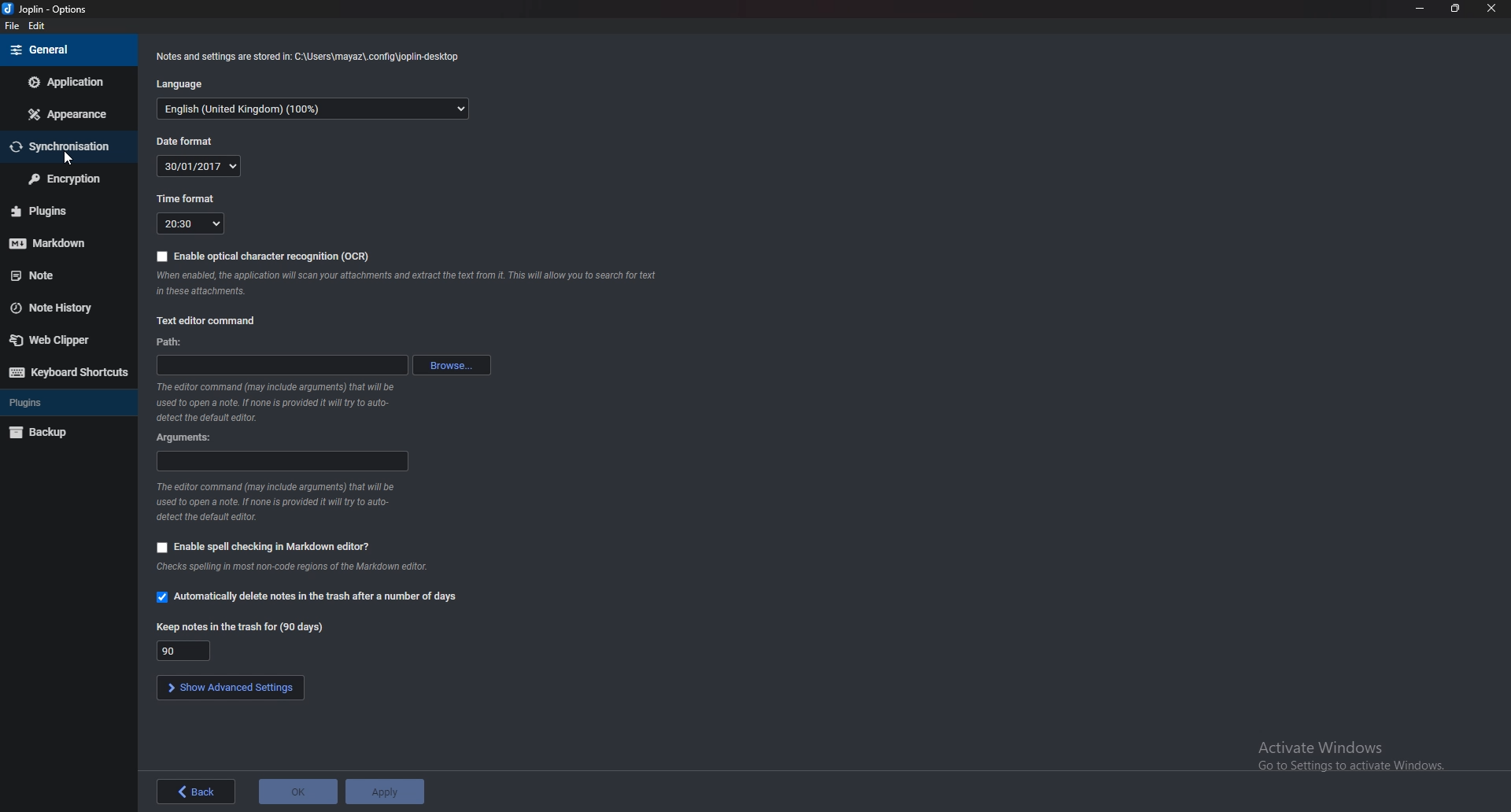  Describe the element at coordinates (170, 343) in the screenshot. I see `path` at that location.